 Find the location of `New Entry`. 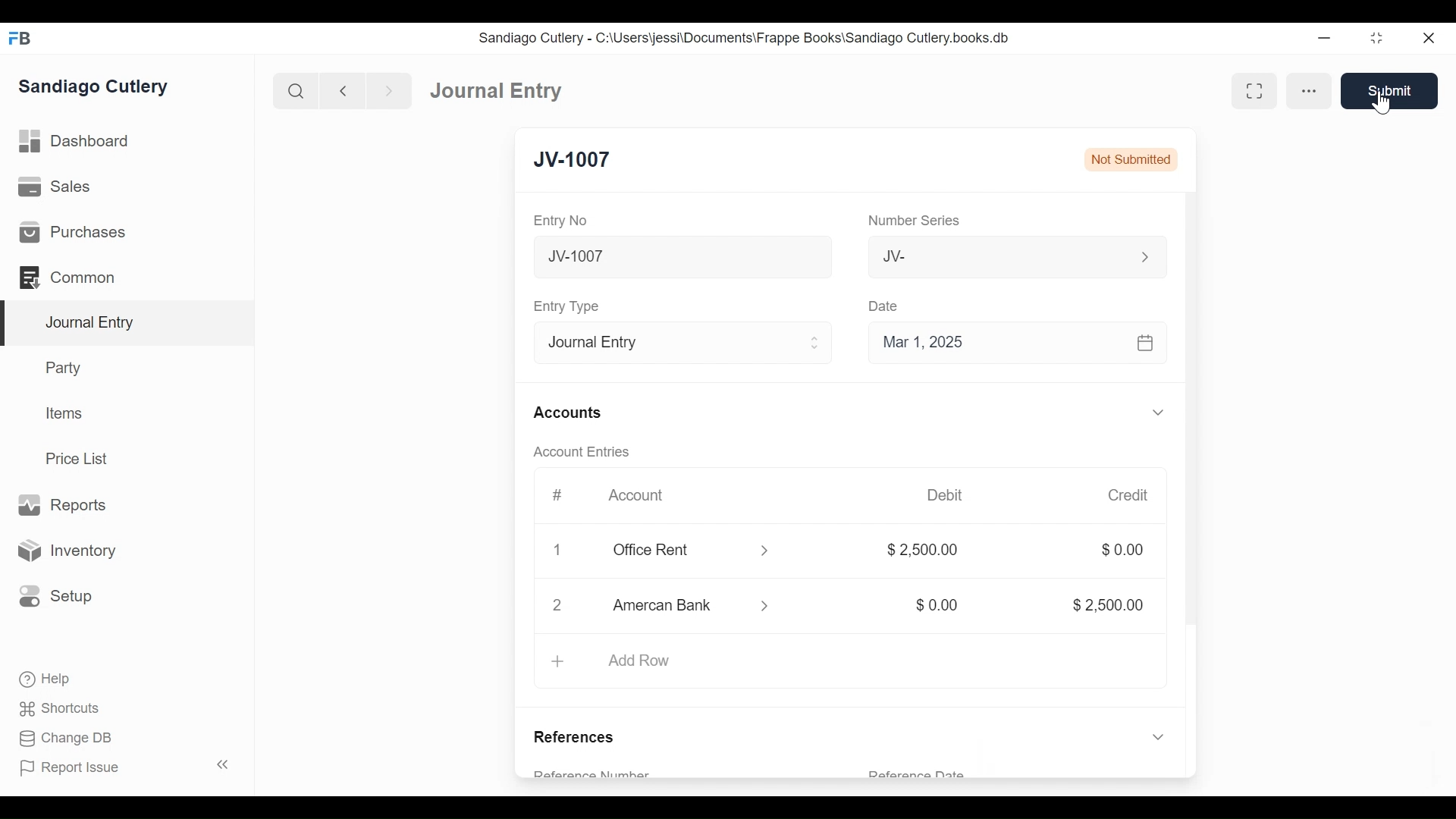

New Entry is located at coordinates (585, 161).